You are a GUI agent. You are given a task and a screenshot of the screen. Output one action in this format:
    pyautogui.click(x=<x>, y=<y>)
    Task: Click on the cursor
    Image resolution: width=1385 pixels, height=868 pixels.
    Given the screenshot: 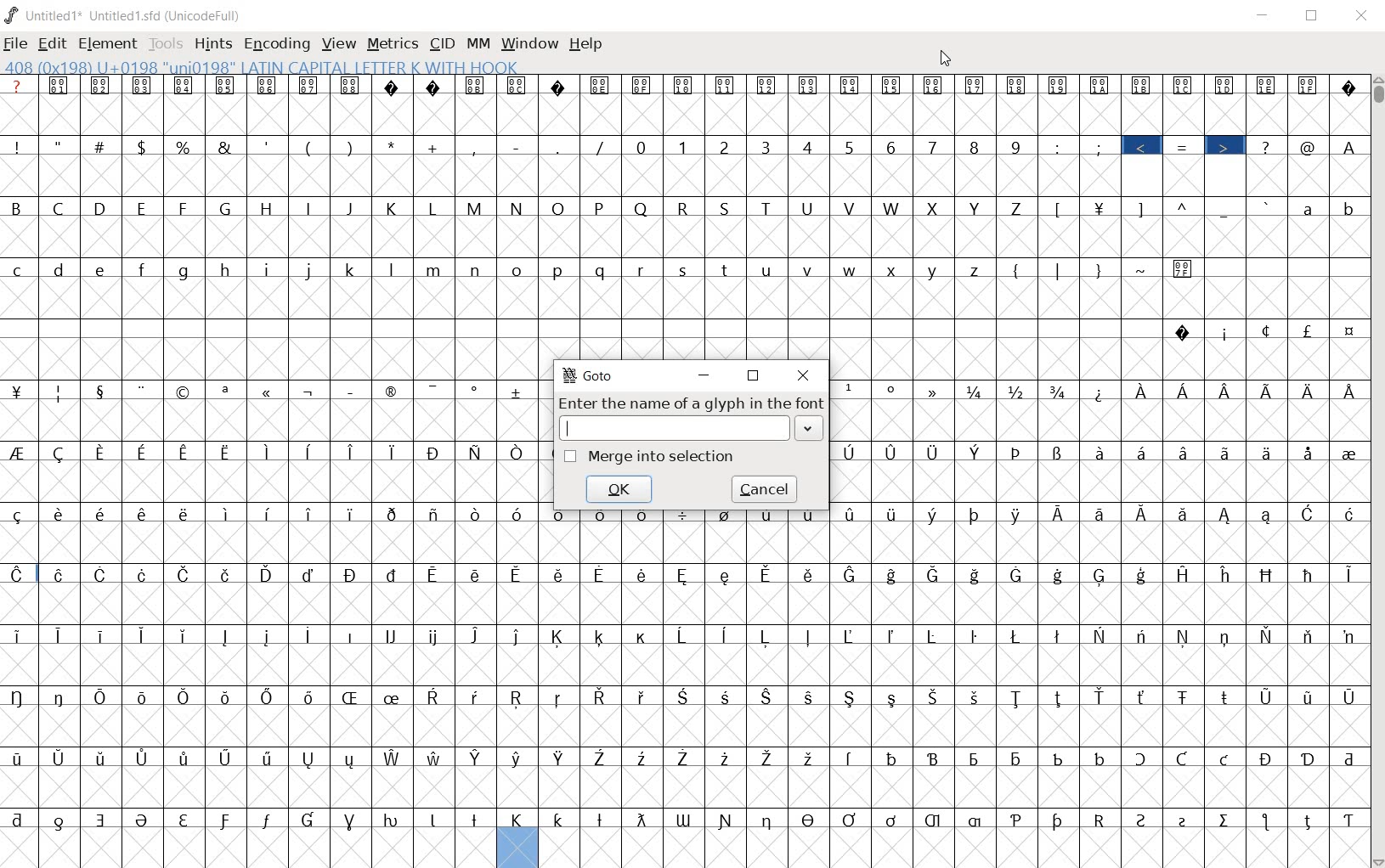 What is the action you would take?
    pyautogui.click(x=946, y=57)
    